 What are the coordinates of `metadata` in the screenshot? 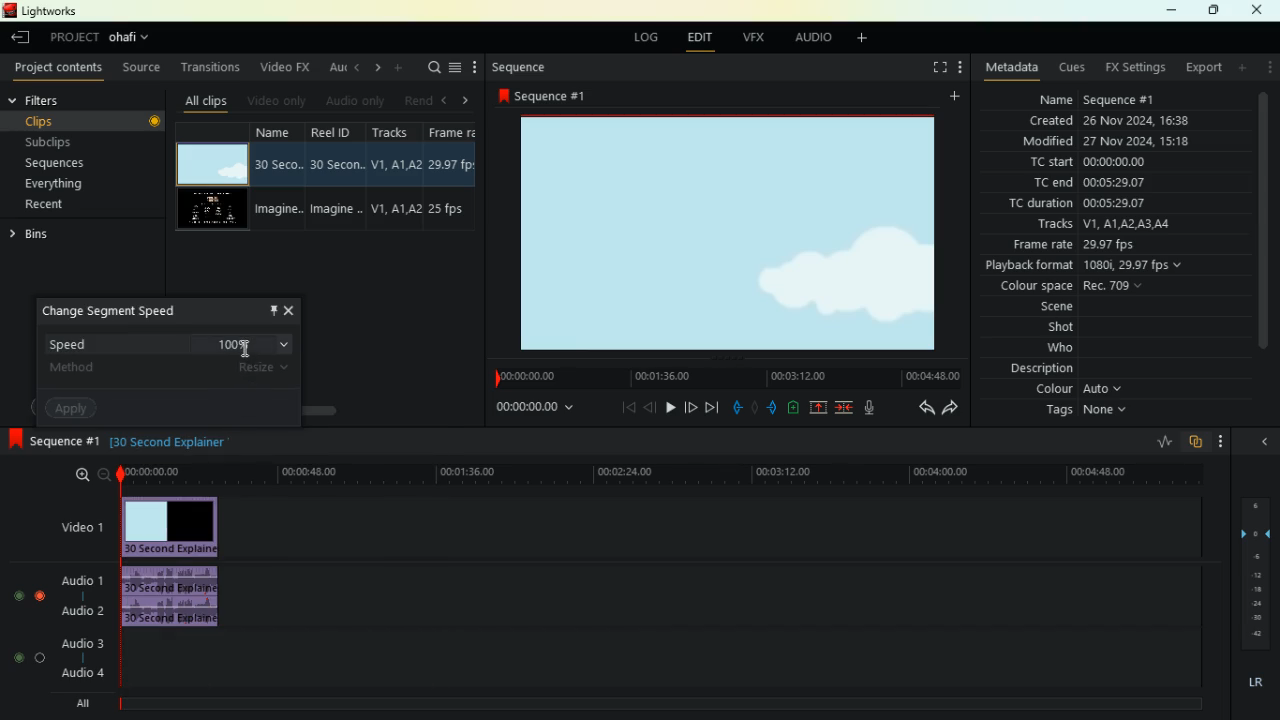 It's located at (1012, 66).